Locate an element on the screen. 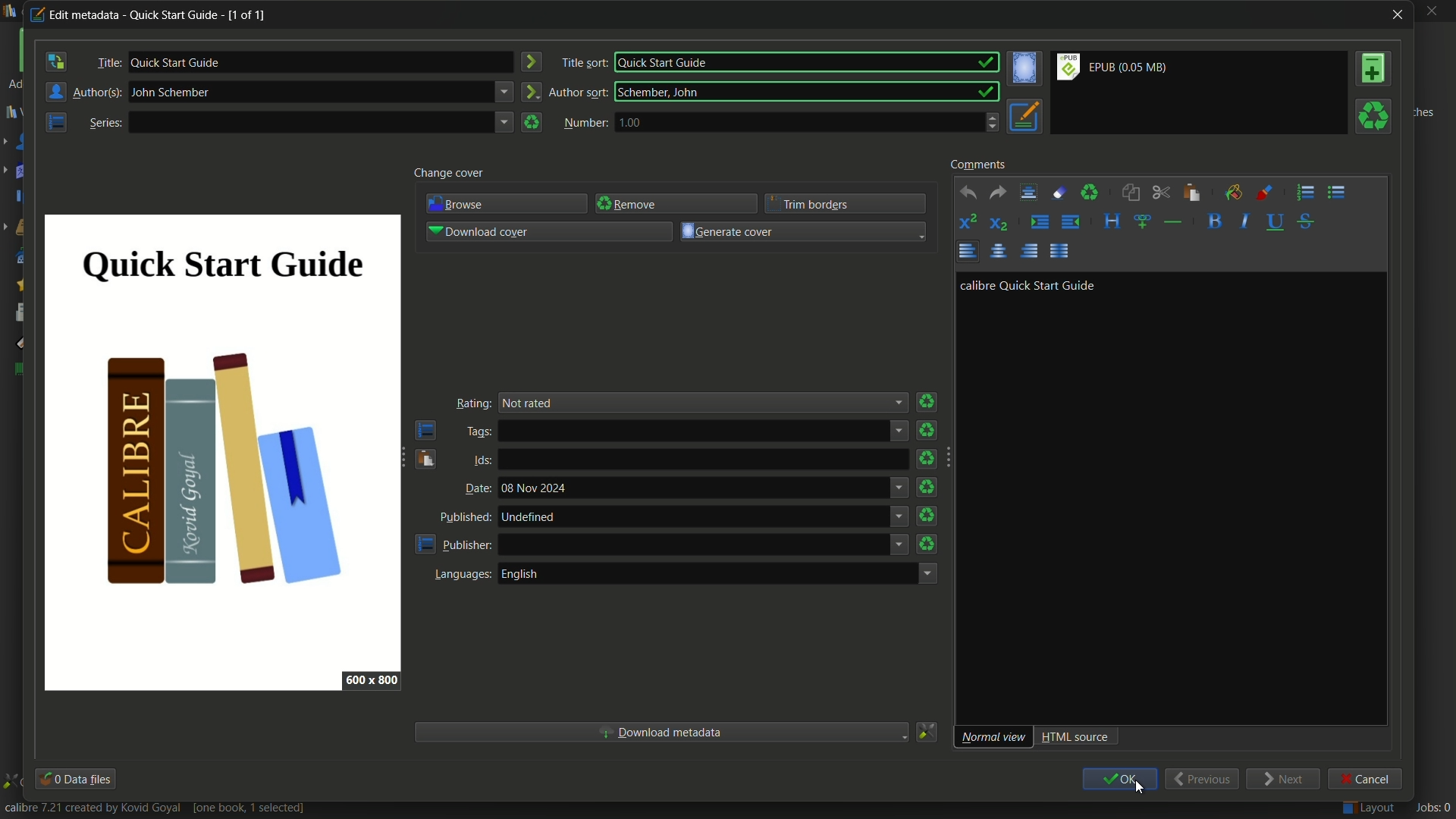 Image resolution: width=1456 pixels, height=819 pixels. insert link or image is located at coordinates (1145, 222).